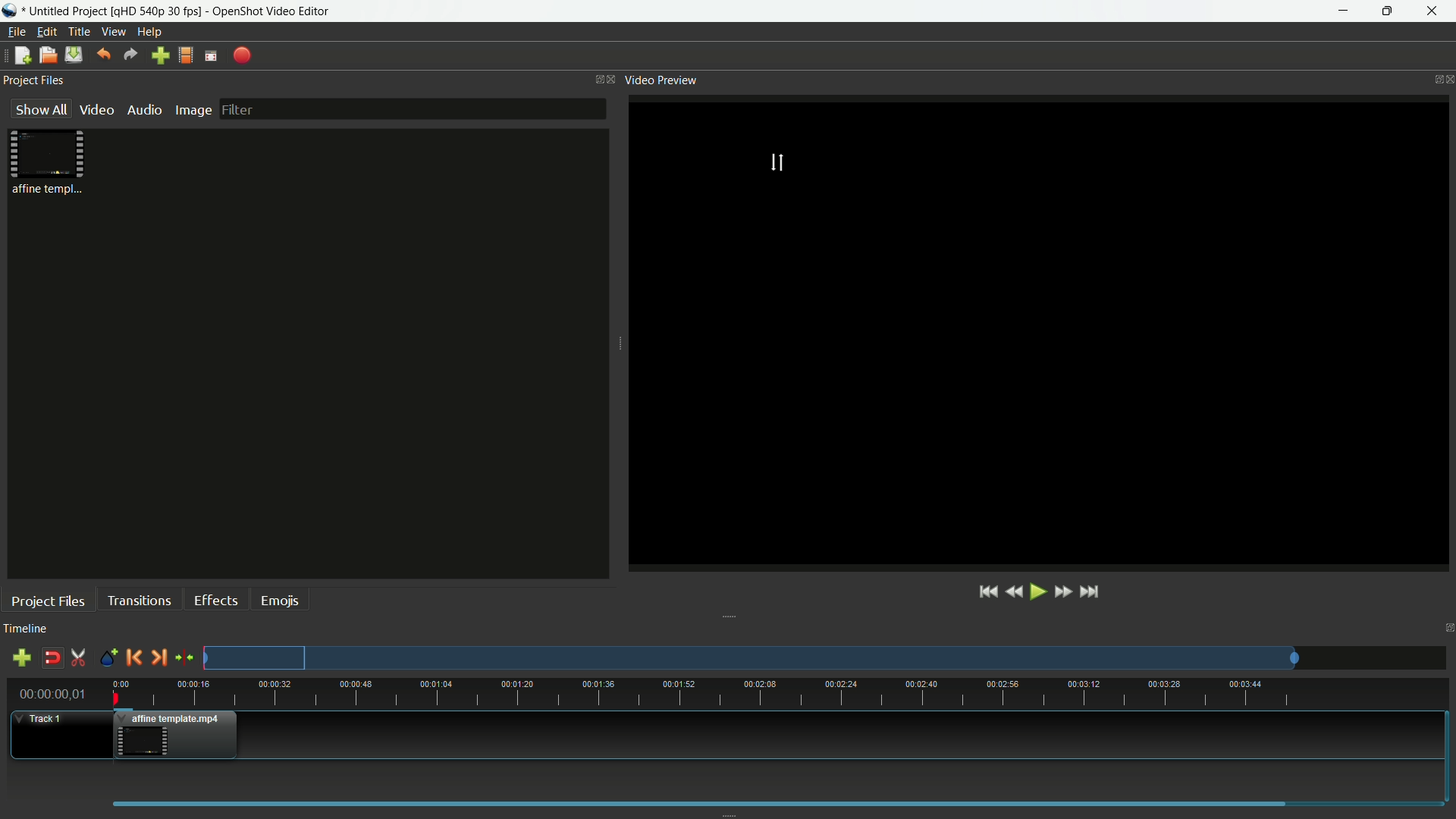 Image resolution: width=1456 pixels, height=819 pixels. What do you see at coordinates (661, 80) in the screenshot?
I see `video preview` at bounding box center [661, 80].